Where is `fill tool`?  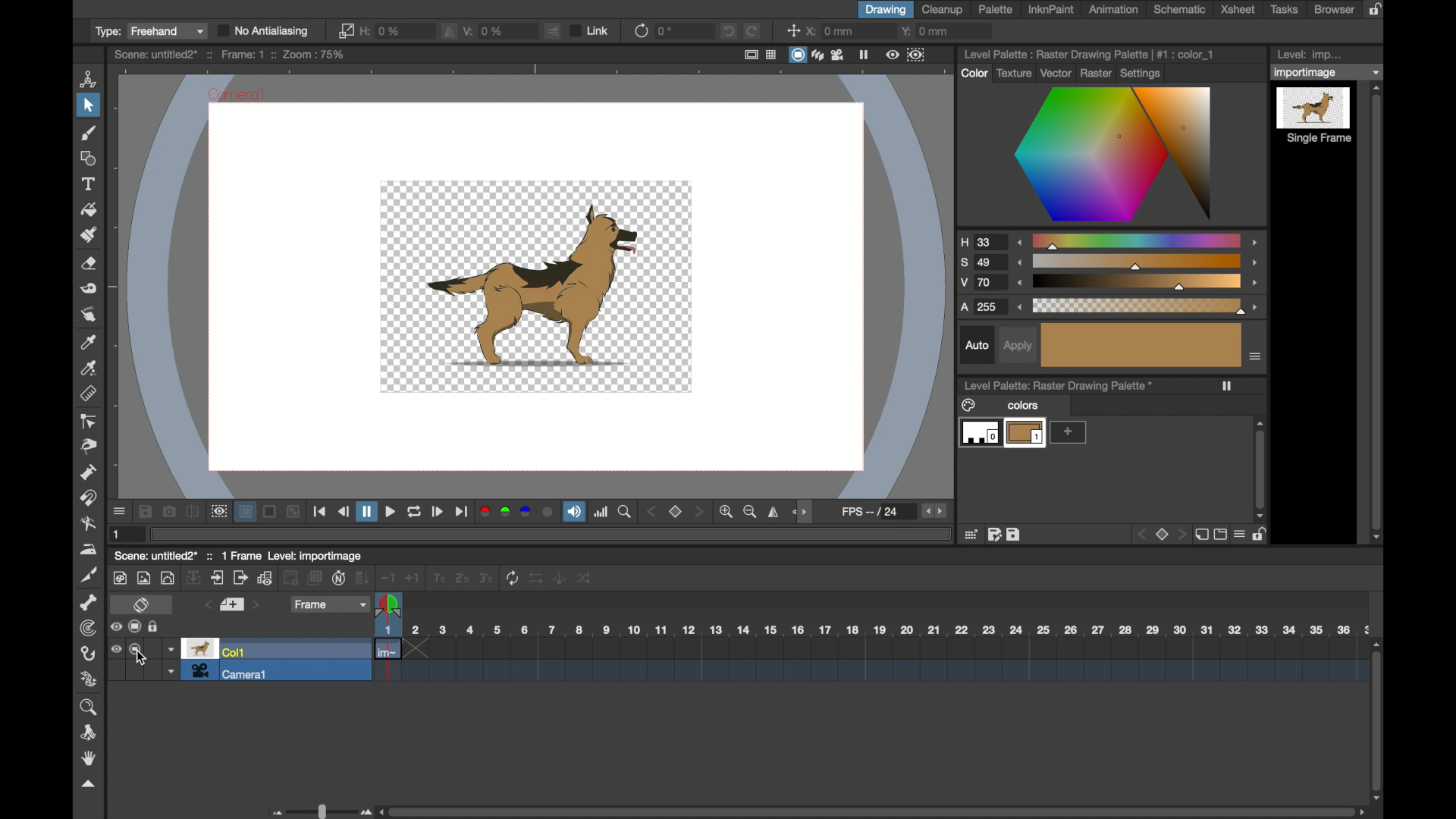 fill tool is located at coordinates (88, 209).